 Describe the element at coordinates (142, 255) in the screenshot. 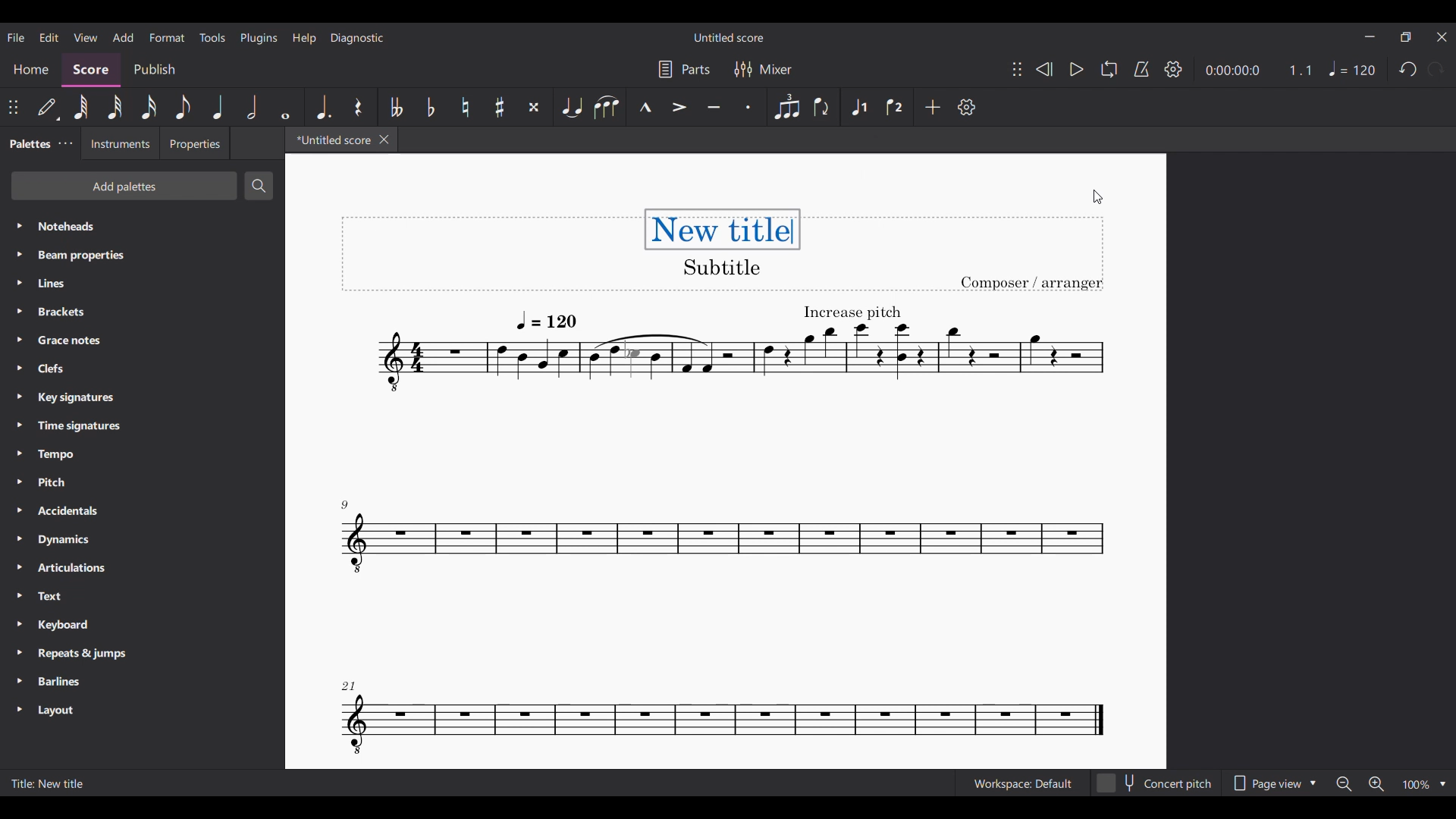

I see `Beam properties` at that location.